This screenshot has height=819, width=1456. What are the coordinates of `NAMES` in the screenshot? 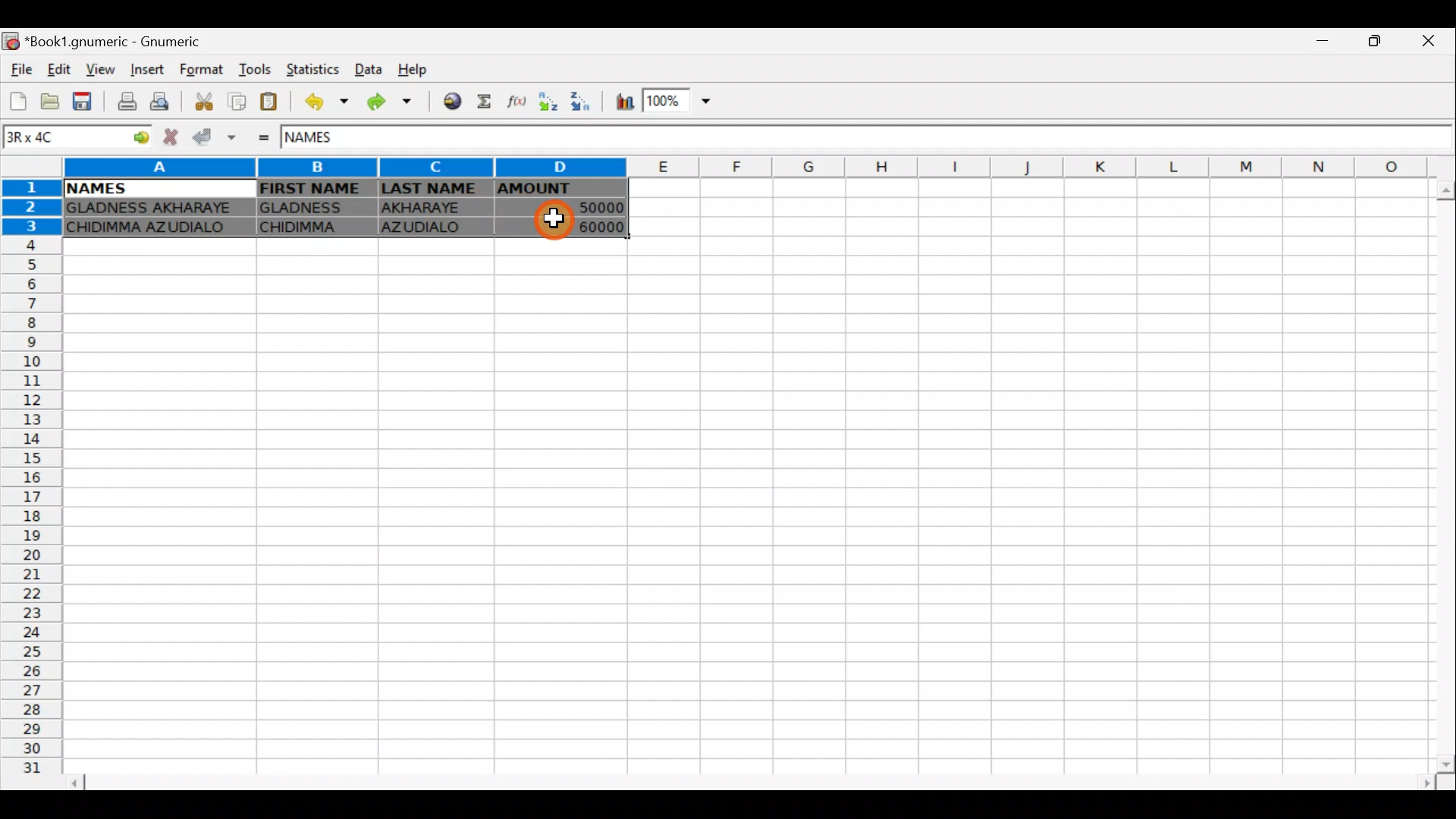 It's located at (95, 189).